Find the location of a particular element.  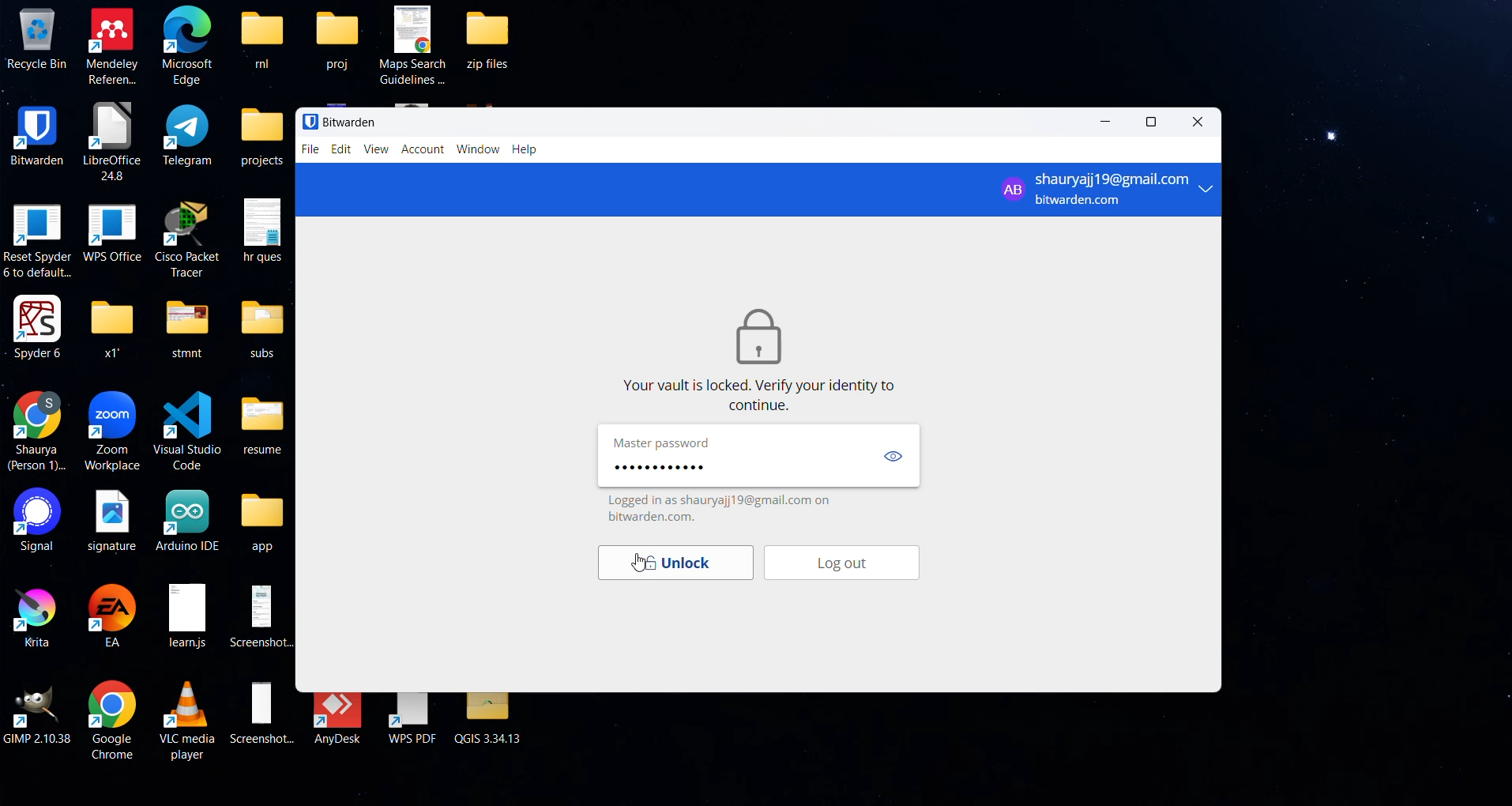

maximize is located at coordinates (1155, 122).